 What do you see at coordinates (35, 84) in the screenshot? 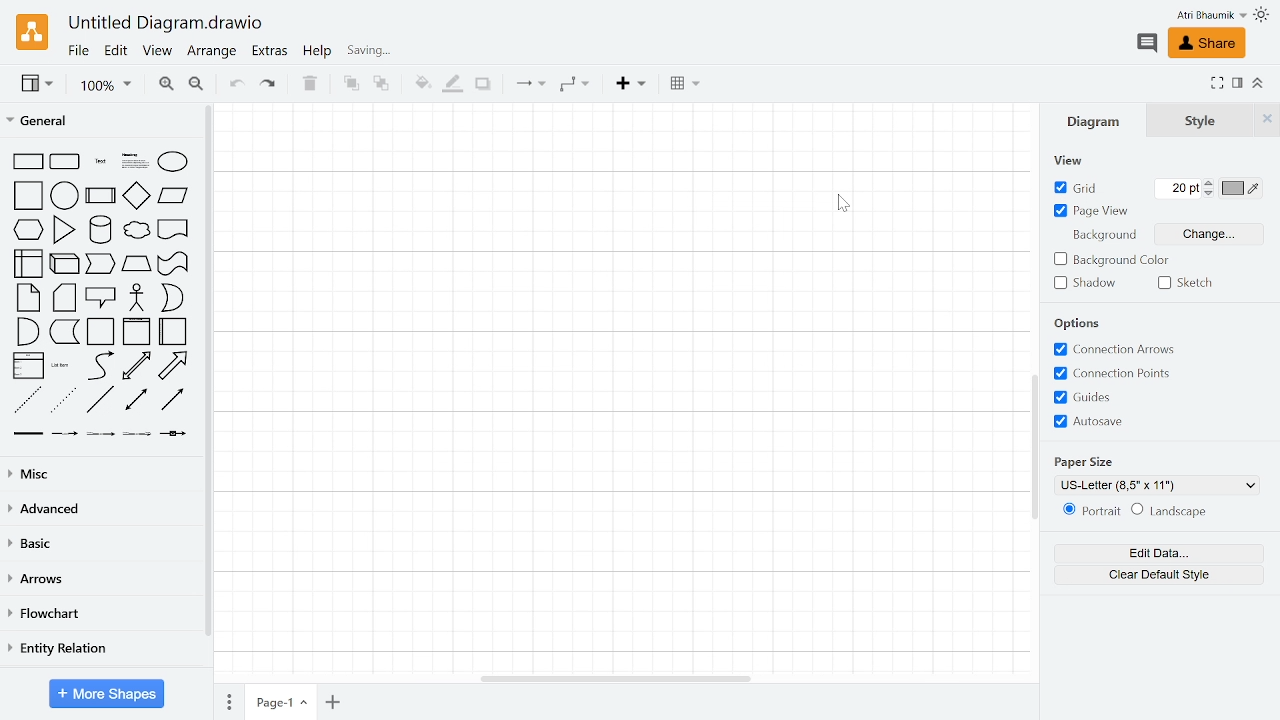
I see `View` at bounding box center [35, 84].